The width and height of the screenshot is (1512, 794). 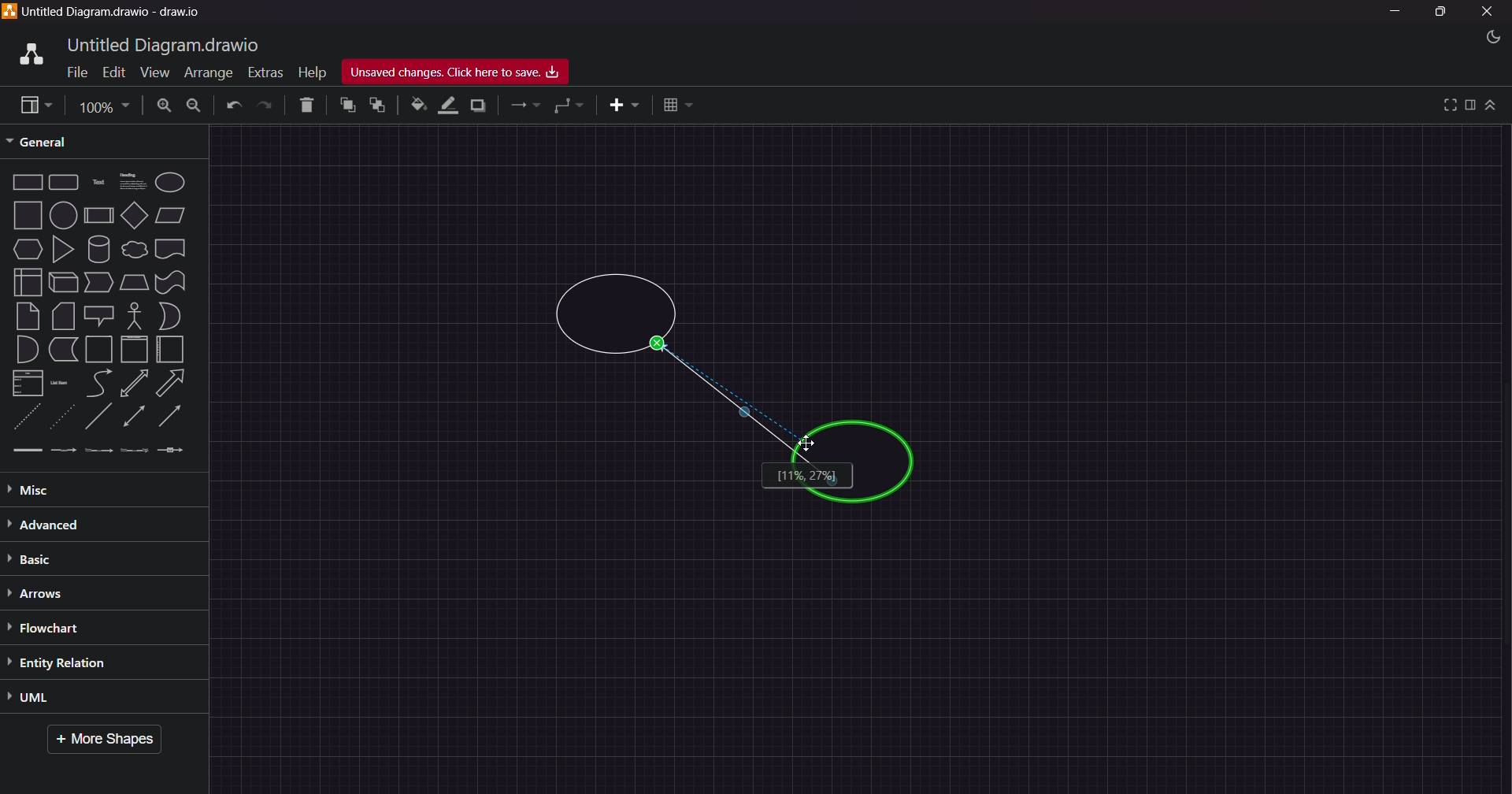 What do you see at coordinates (79, 524) in the screenshot?
I see `Advanced` at bounding box center [79, 524].